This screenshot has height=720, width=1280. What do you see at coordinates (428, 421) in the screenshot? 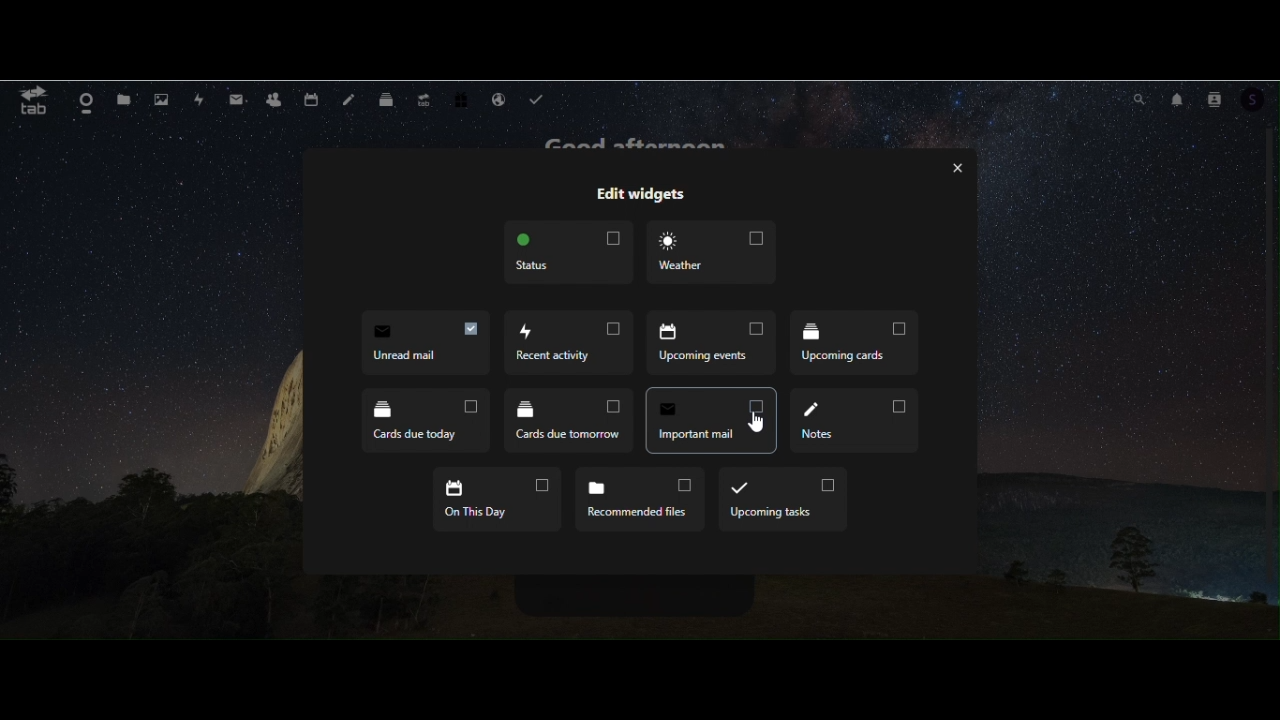
I see `Cards due tomorrow` at bounding box center [428, 421].